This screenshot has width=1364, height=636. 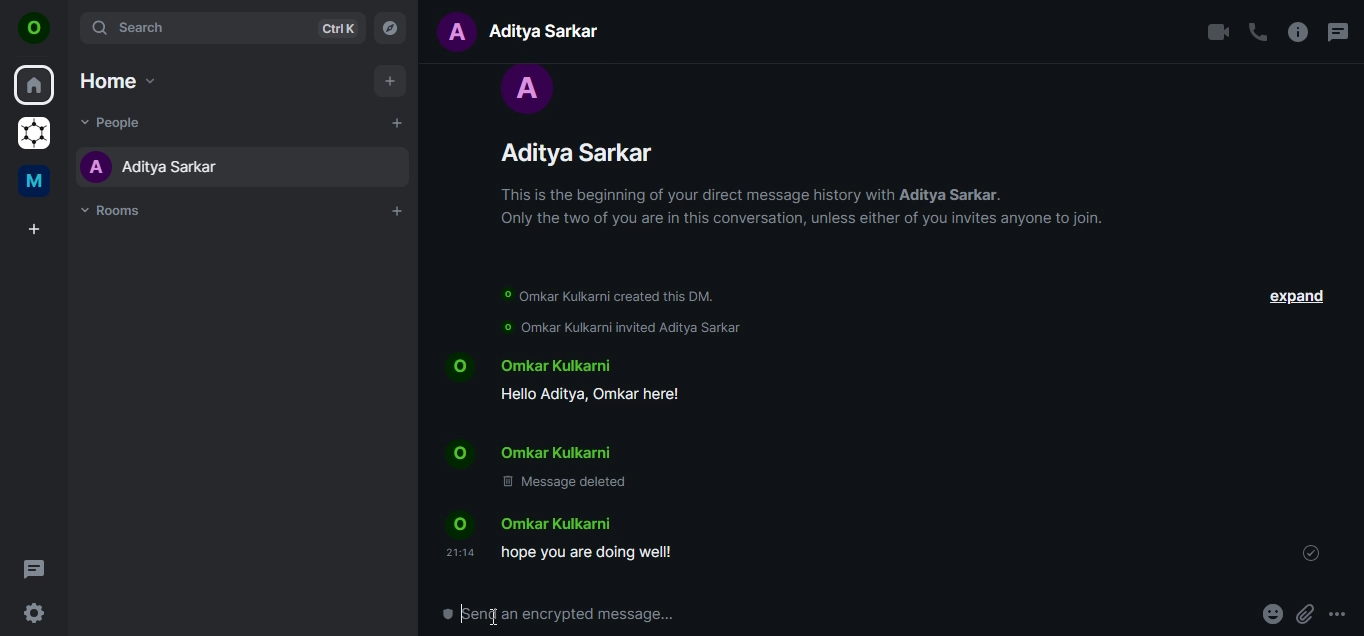 I want to click on grapheneOS commumity, so click(x=36, y=131).